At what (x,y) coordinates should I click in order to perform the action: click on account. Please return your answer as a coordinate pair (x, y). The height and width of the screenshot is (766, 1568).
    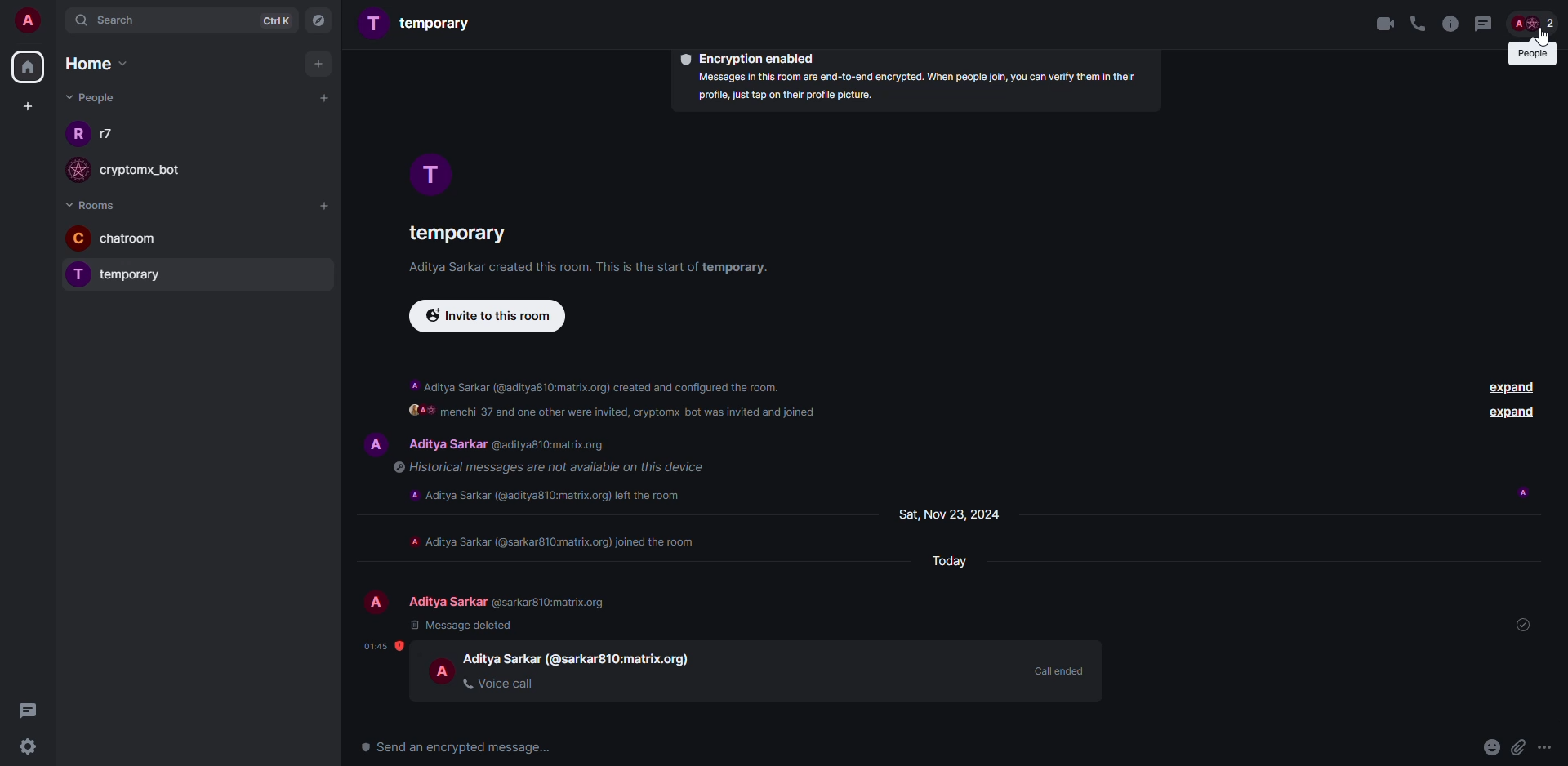
    Looking at the image, I should click on (29, 22).